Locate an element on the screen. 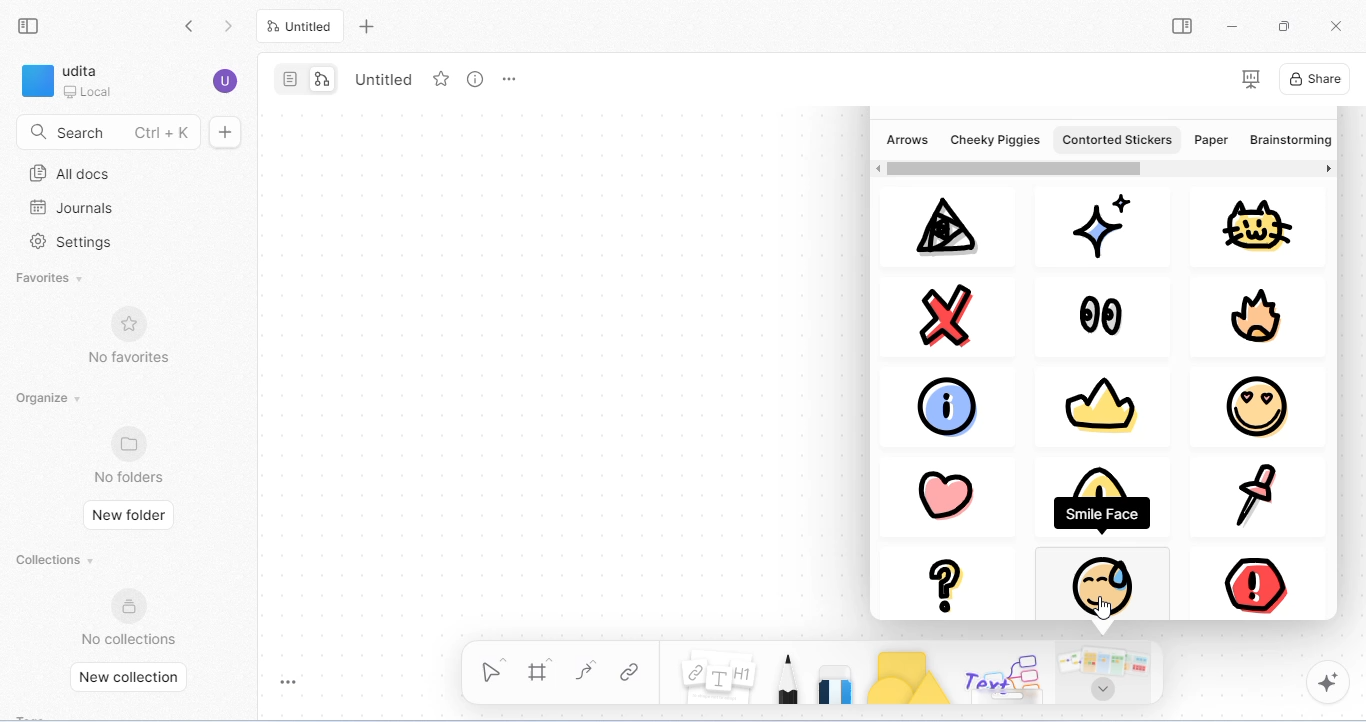  go forward is located at coordinates (228, 27).